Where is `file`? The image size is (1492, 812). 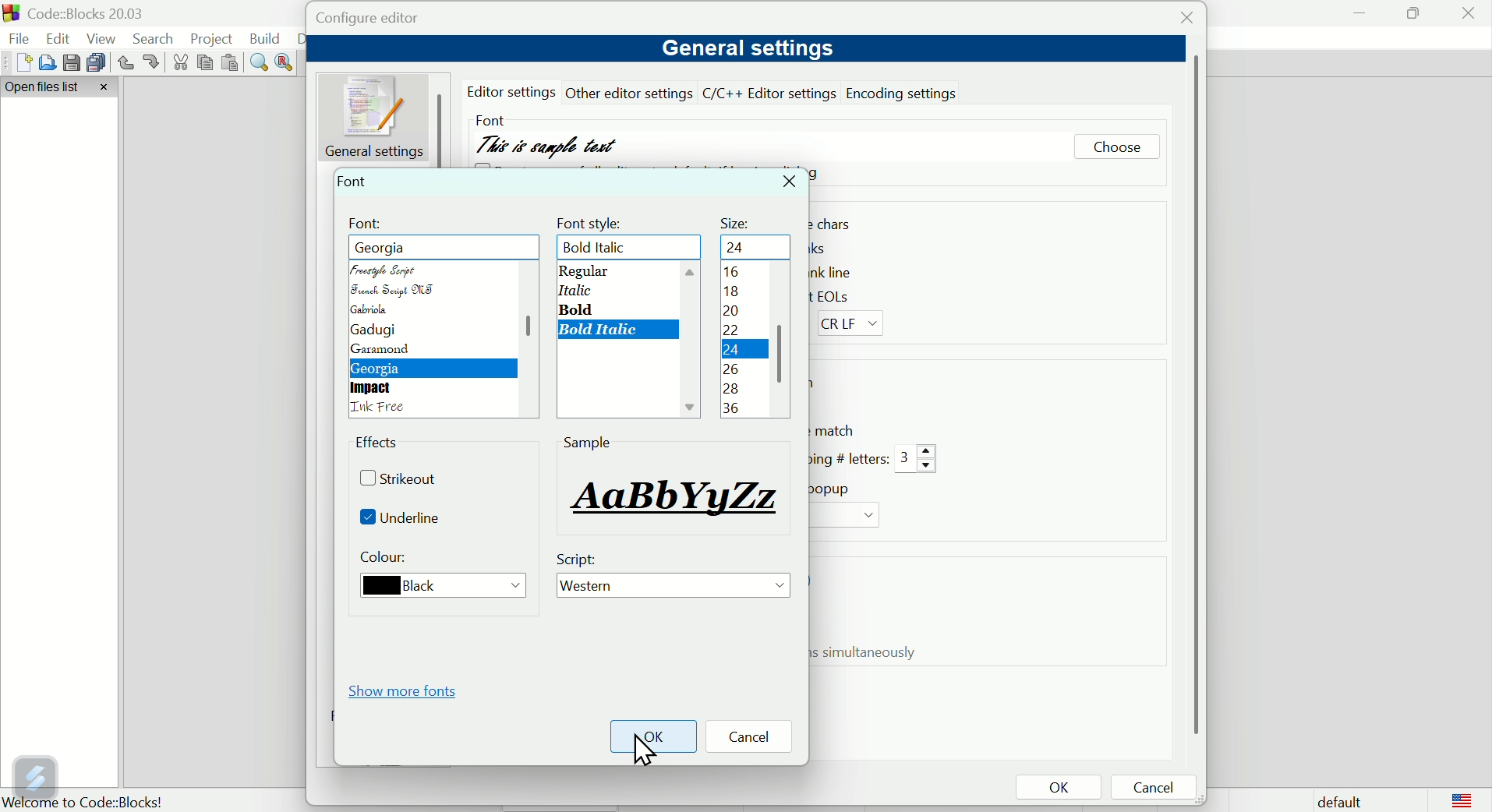
file is located at coordinates (20, 40).